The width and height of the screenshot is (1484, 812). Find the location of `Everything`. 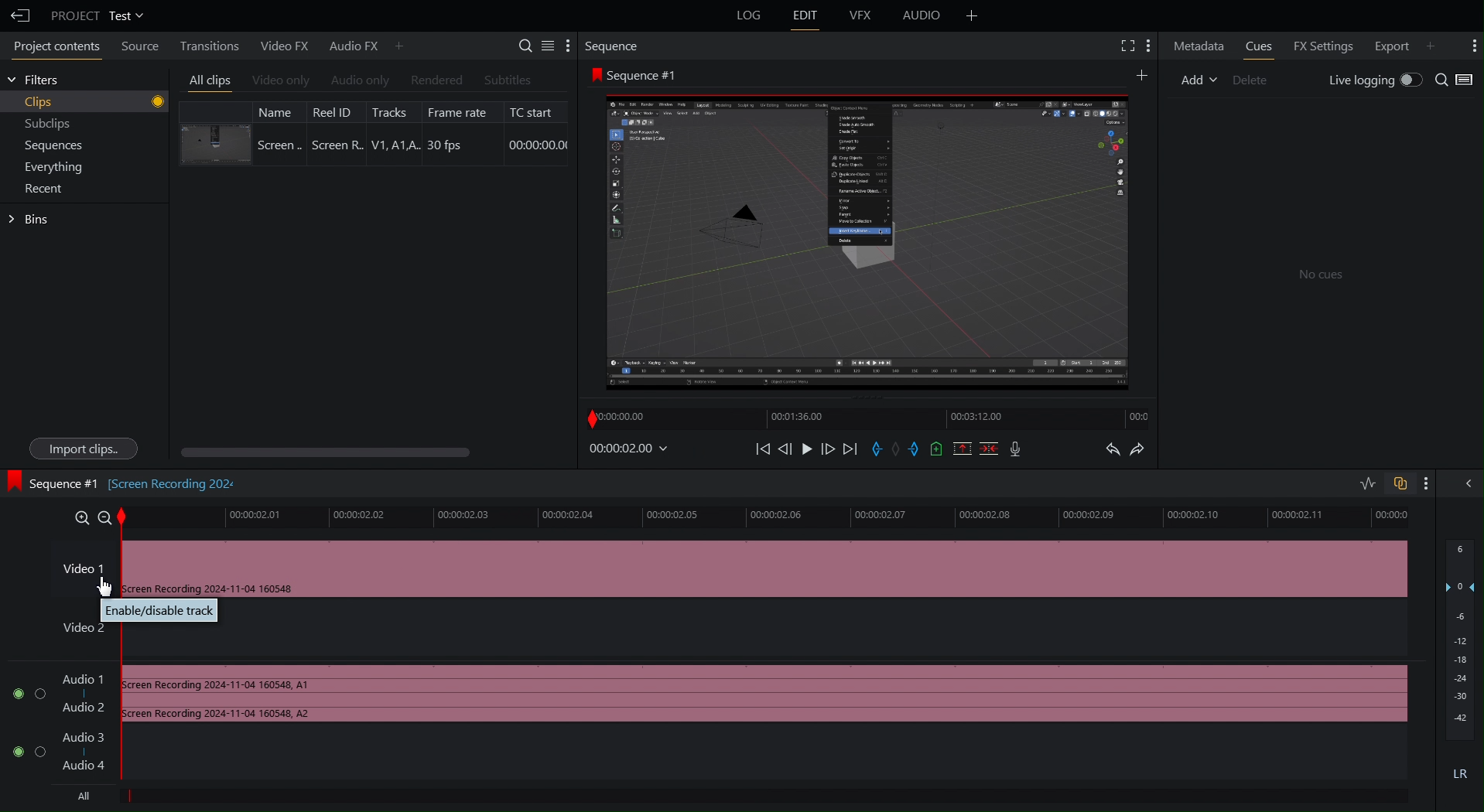

Everything is located at coordinates (45, 167).